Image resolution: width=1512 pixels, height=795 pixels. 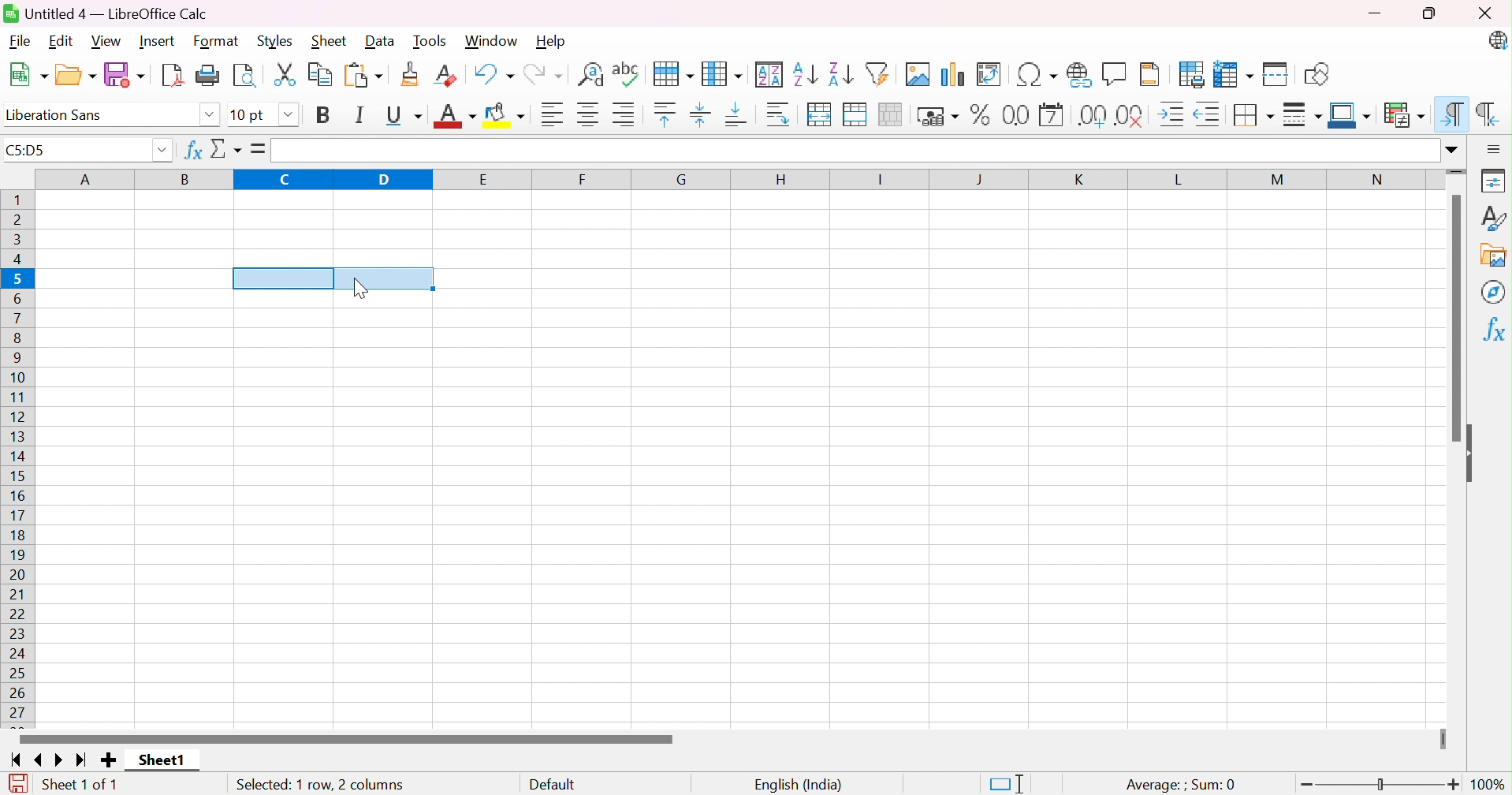 What do you see at coordinates (806, 72) in the screenshot?
I see `Sort Ascending` at bounding box center [806, 72].